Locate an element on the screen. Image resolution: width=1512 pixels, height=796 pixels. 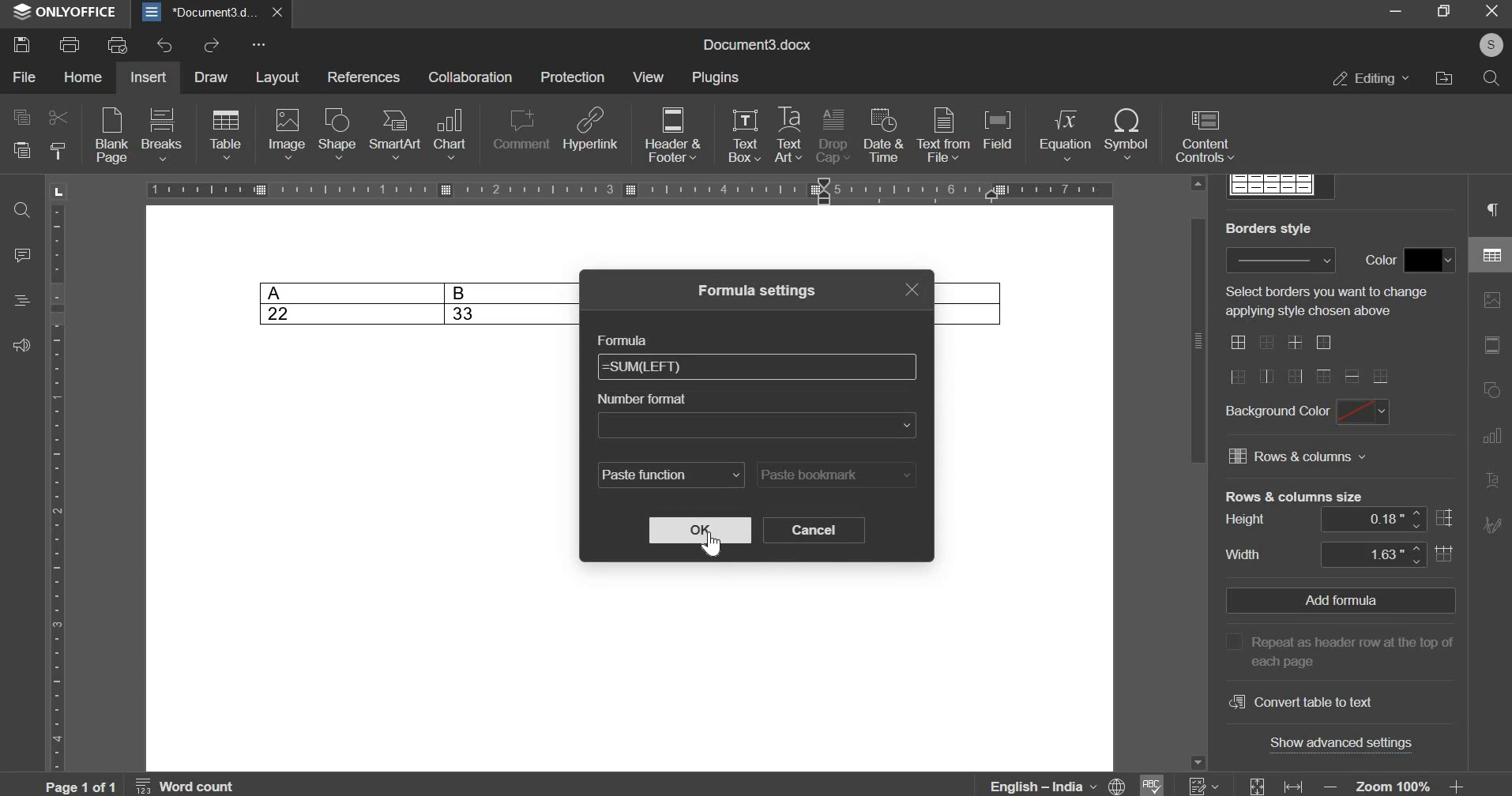
Ruler is located at coordinates (629, 190).